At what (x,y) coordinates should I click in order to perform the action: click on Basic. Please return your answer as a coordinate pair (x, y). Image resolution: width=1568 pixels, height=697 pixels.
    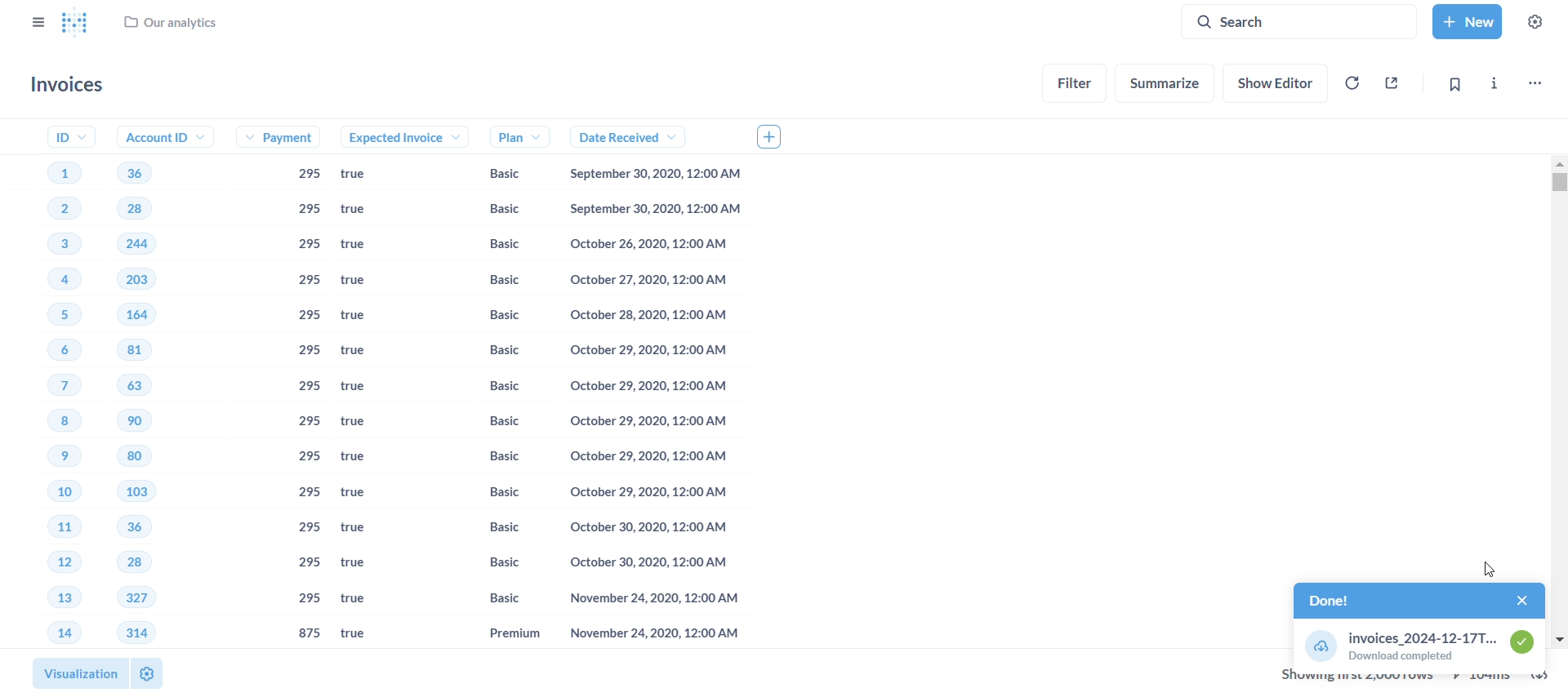
    Looking at the image, I should click on (497, 529).